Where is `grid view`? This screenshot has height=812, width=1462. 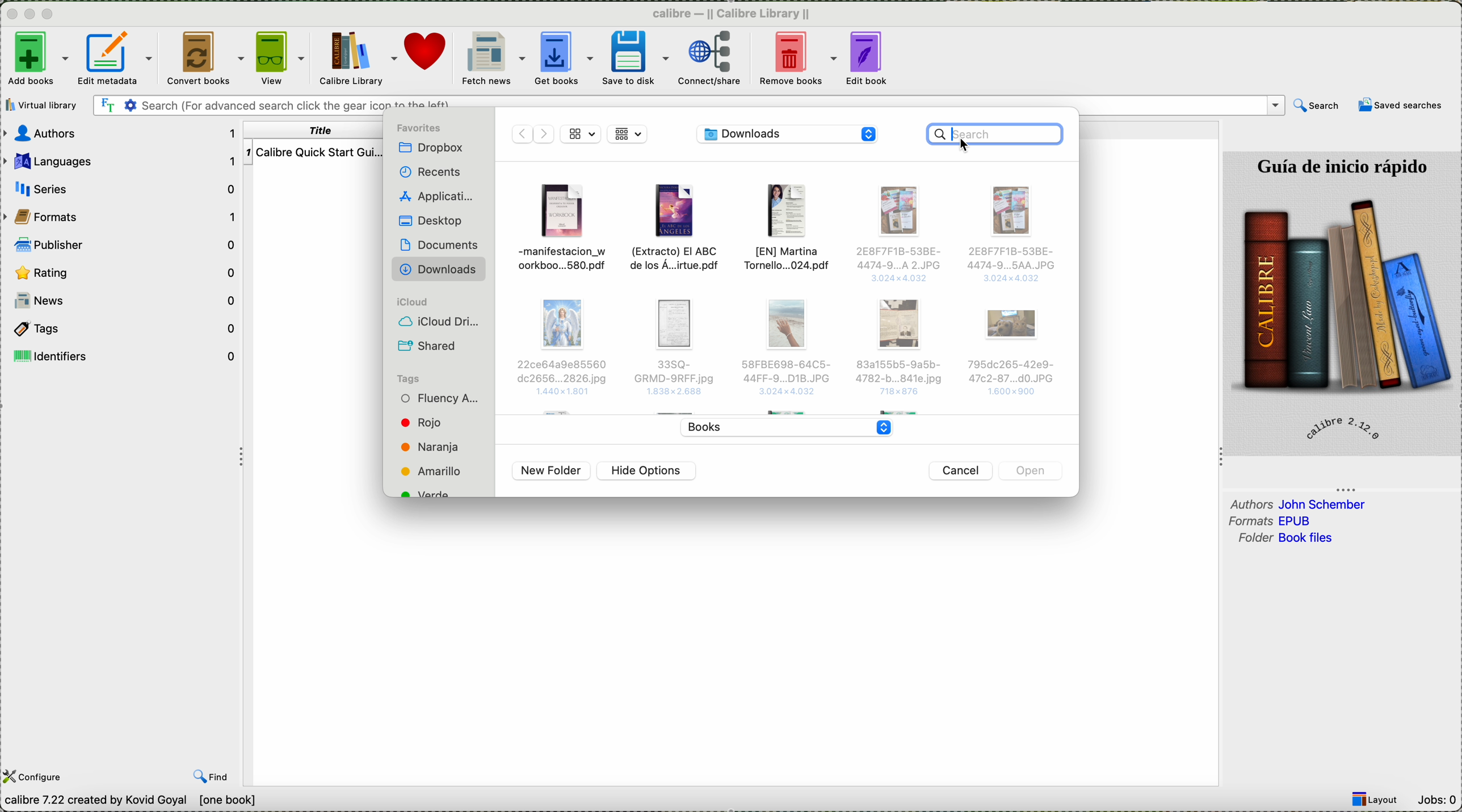
grid view is located at coordinates (581, 133).